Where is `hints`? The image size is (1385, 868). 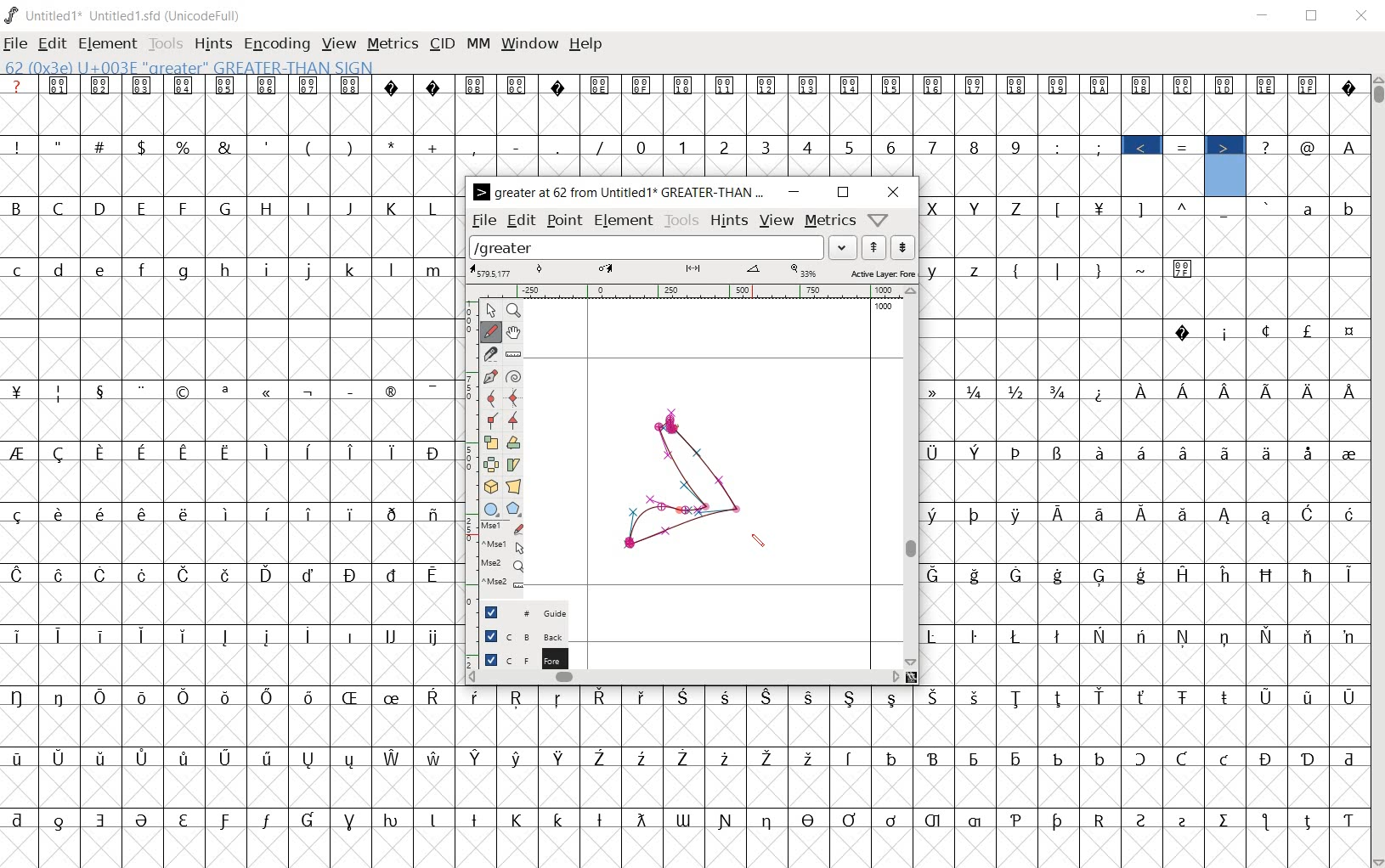
hints is located at coordinates (213, 44).